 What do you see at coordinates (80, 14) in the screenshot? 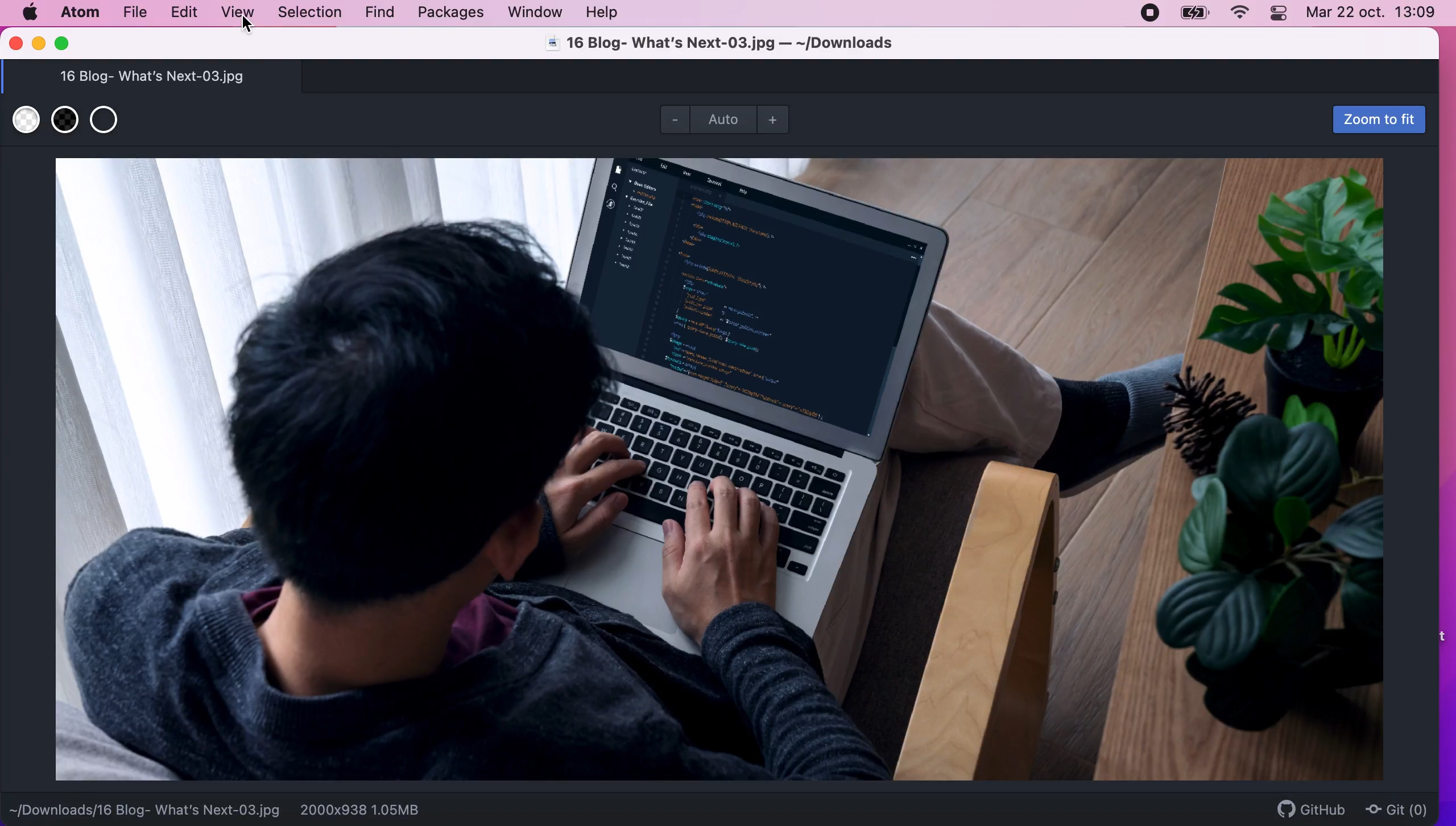
I see `atom` at bounding box center [80, 14].